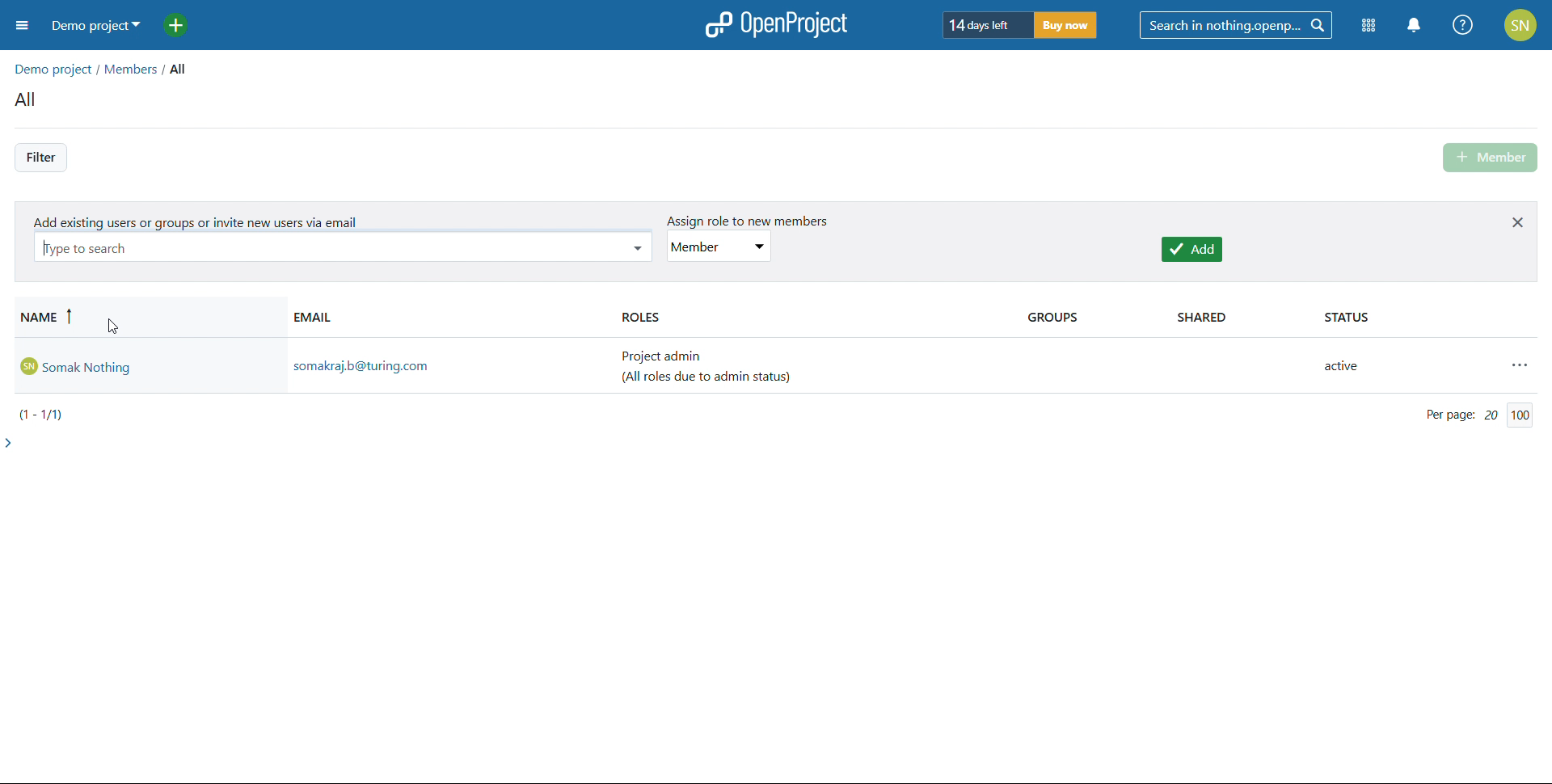 The width and height of the screenshot is (1552, 784). Describe the element at coordinates (1518, 221) in the screenshot. I see `close` at that location.